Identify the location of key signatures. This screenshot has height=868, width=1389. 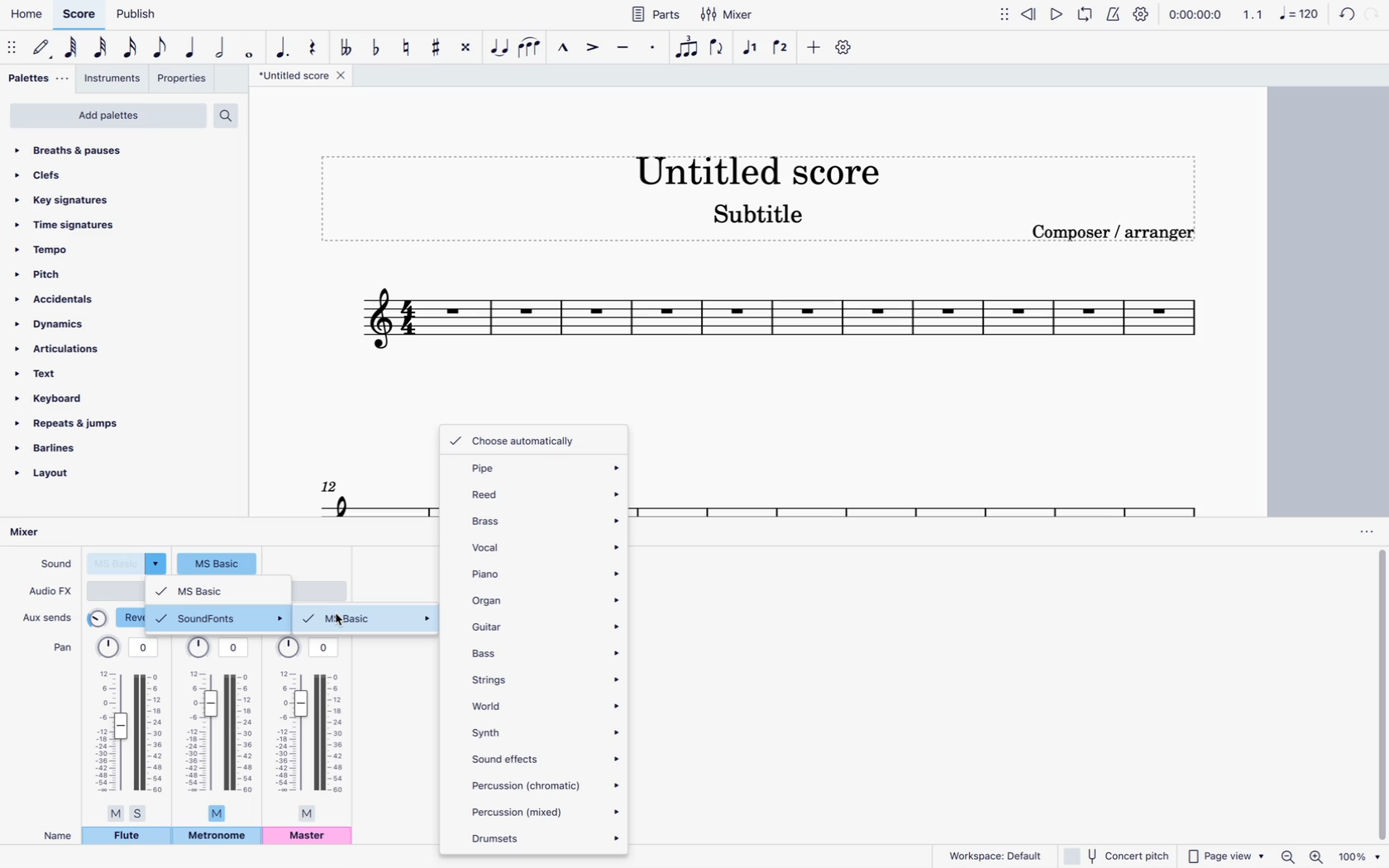
(65, 199).